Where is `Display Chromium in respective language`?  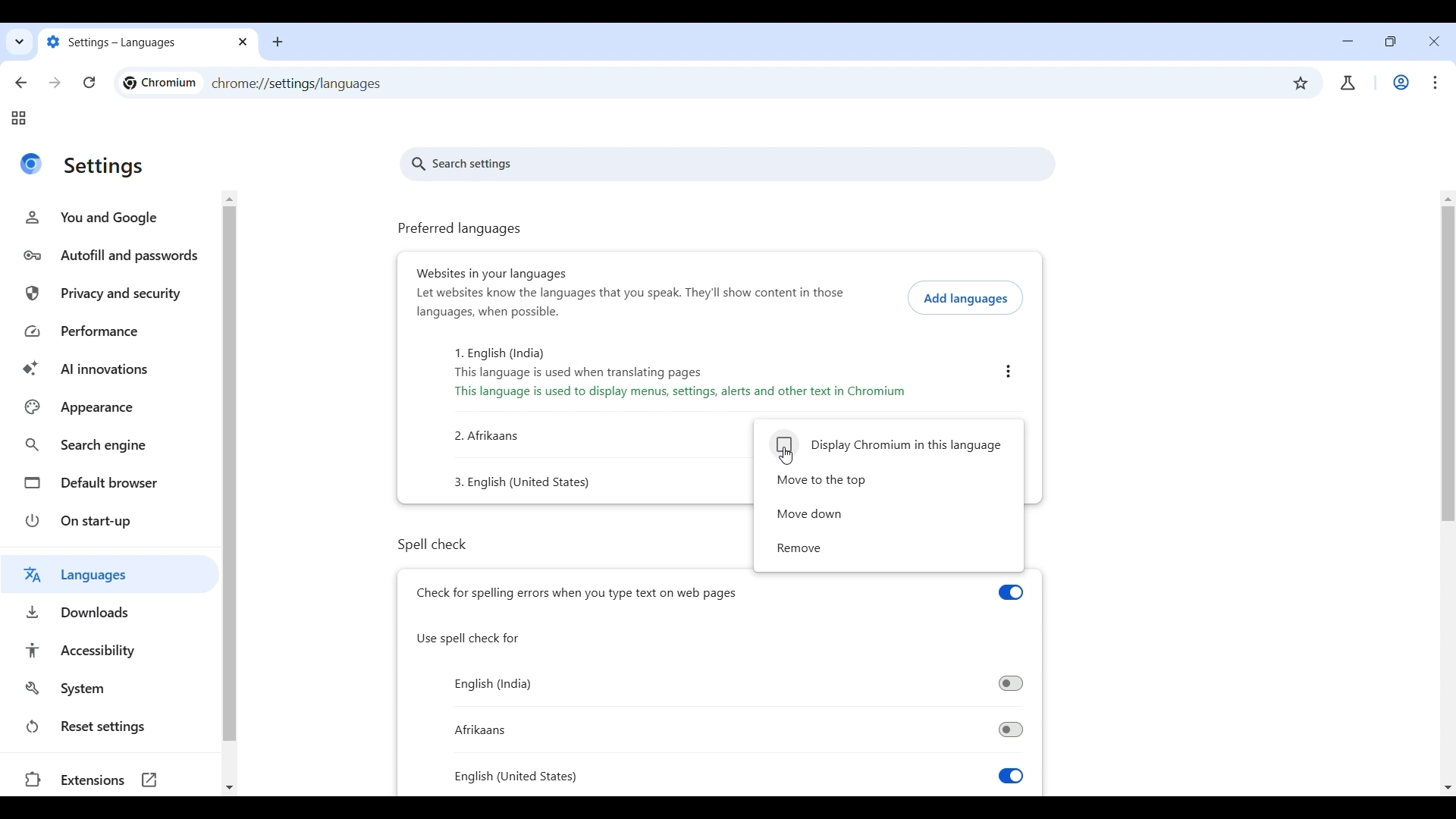
Display Chromium in respective language is located at coordinates (889, 445).